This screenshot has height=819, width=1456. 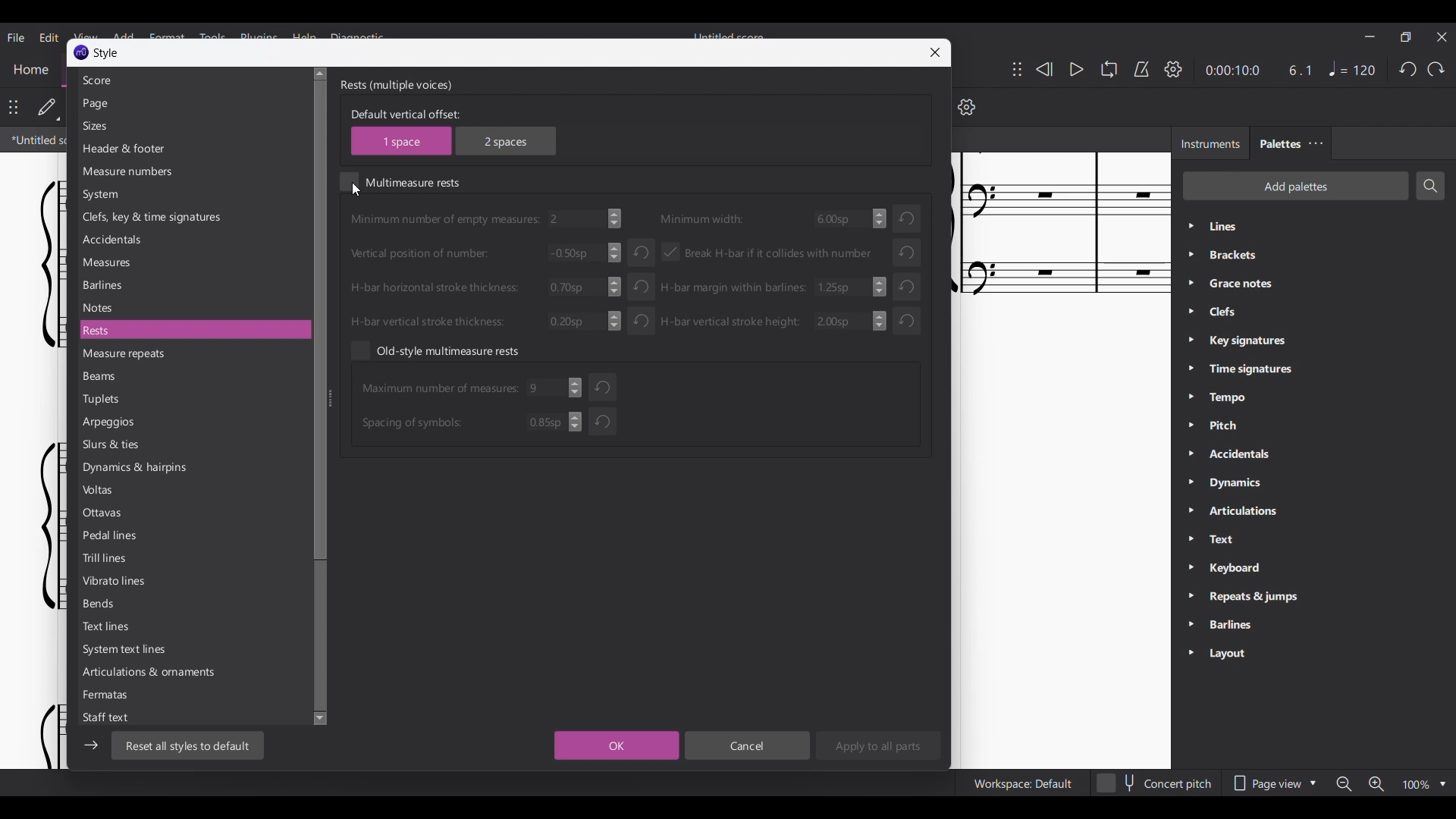 What do you see at coordinates (973, 108) in the screenshot?
I see `settings` at bounding box center [973, 108].